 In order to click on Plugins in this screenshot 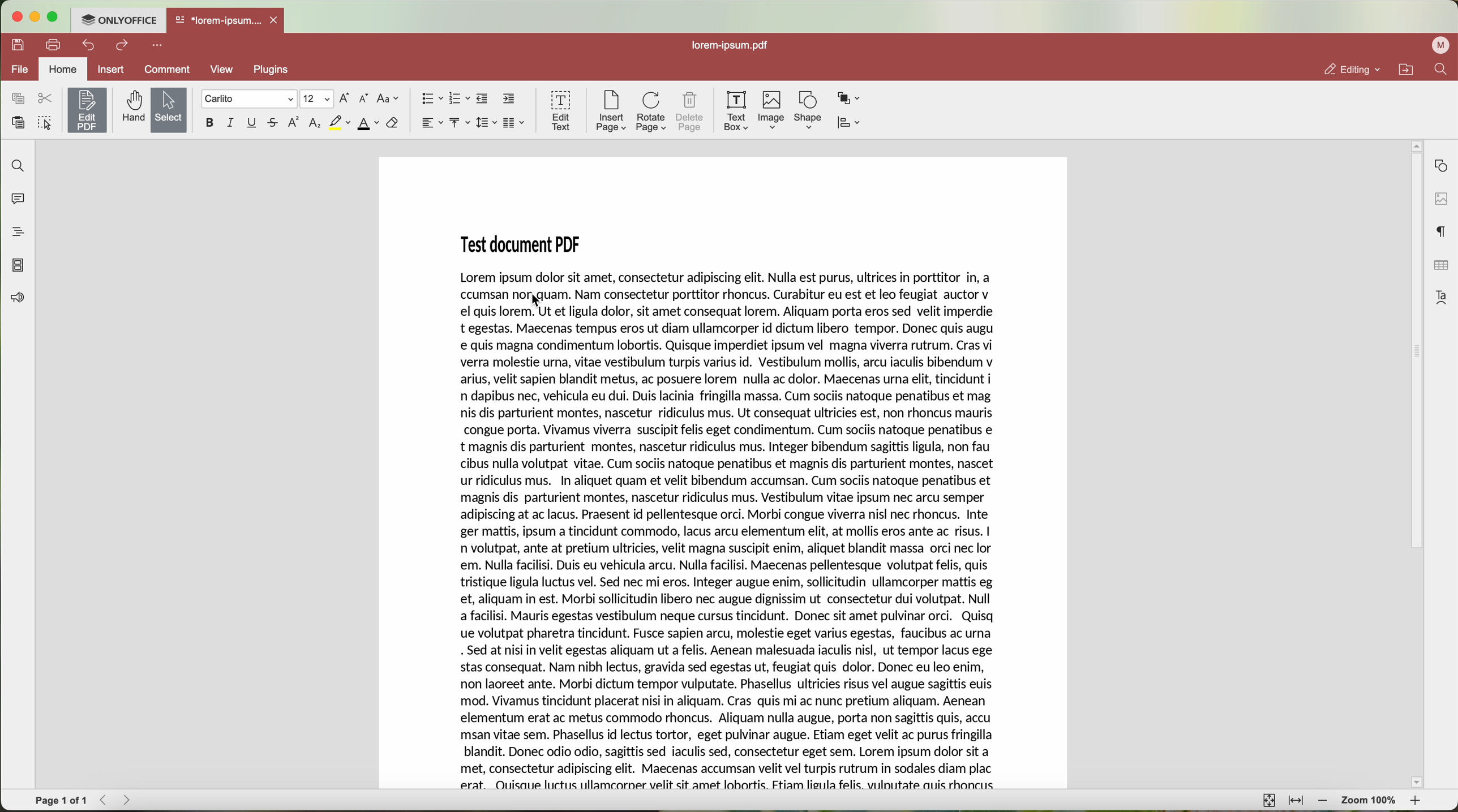, I will do `click(272, 70)`.